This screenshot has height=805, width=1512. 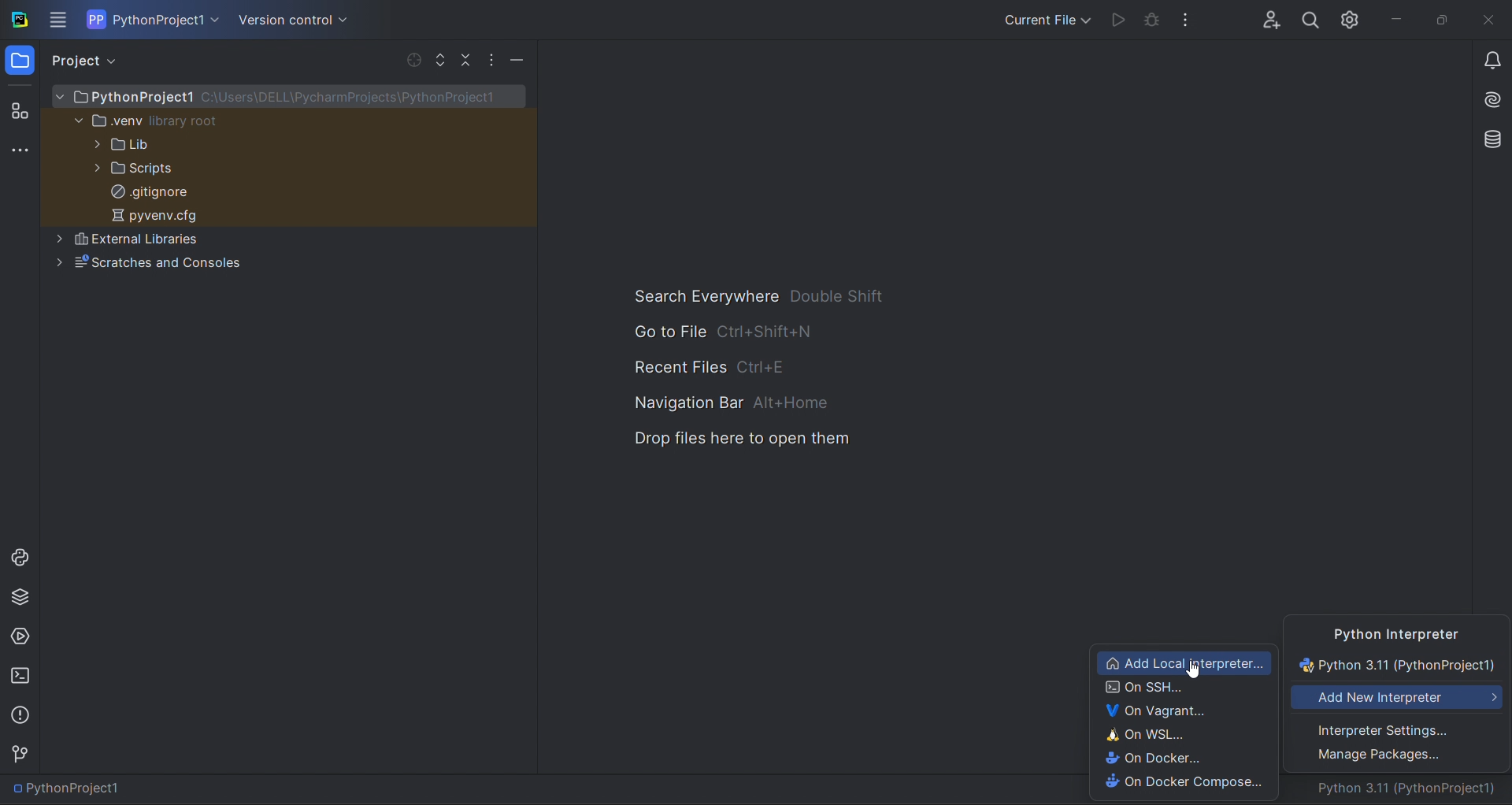 I want to click on debug, so click(x=1152, y=22).